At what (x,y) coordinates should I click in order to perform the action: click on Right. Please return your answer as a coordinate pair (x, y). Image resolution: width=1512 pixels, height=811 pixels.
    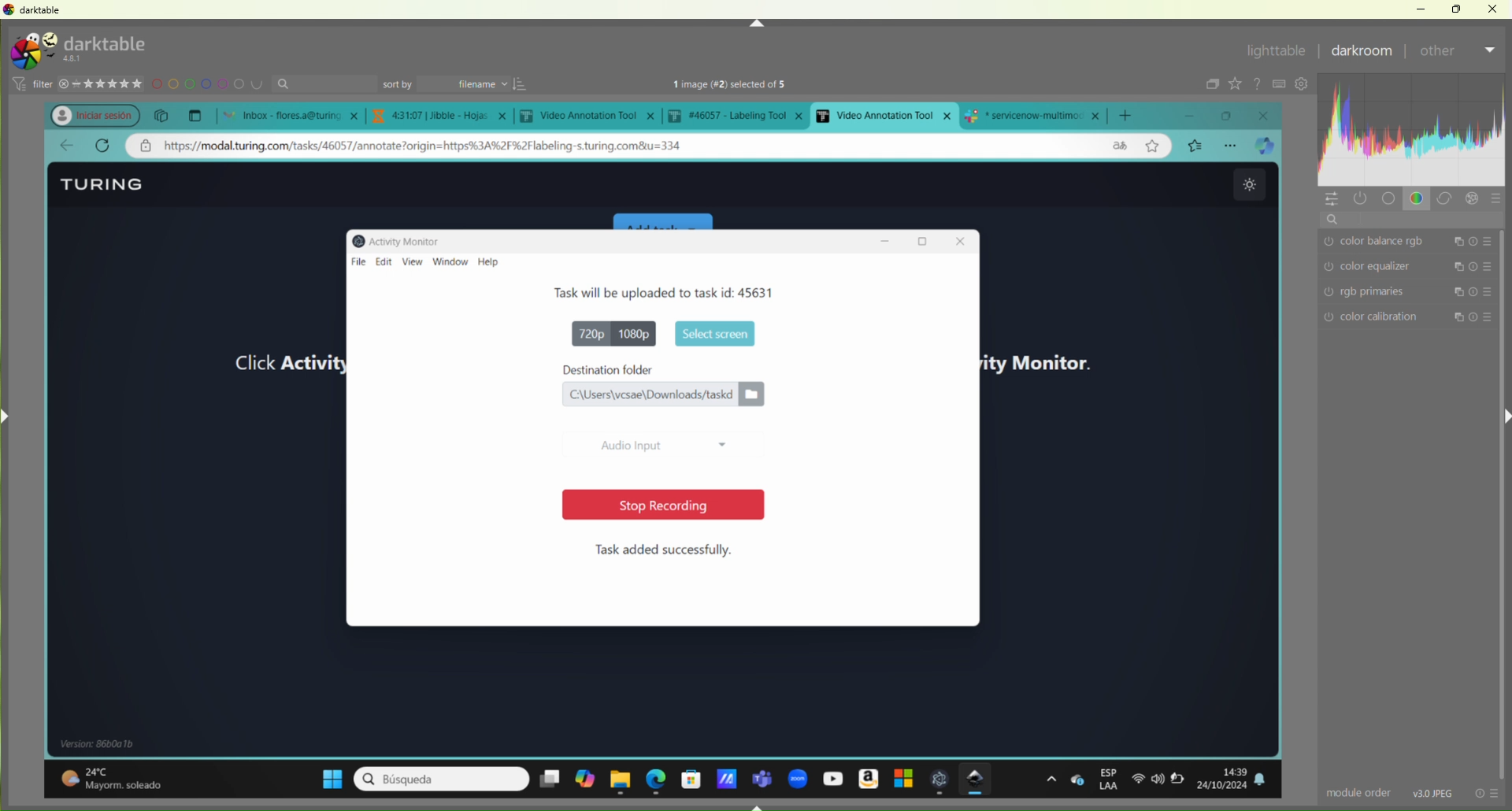
    Looking at the image, I should click on (1503, 415).